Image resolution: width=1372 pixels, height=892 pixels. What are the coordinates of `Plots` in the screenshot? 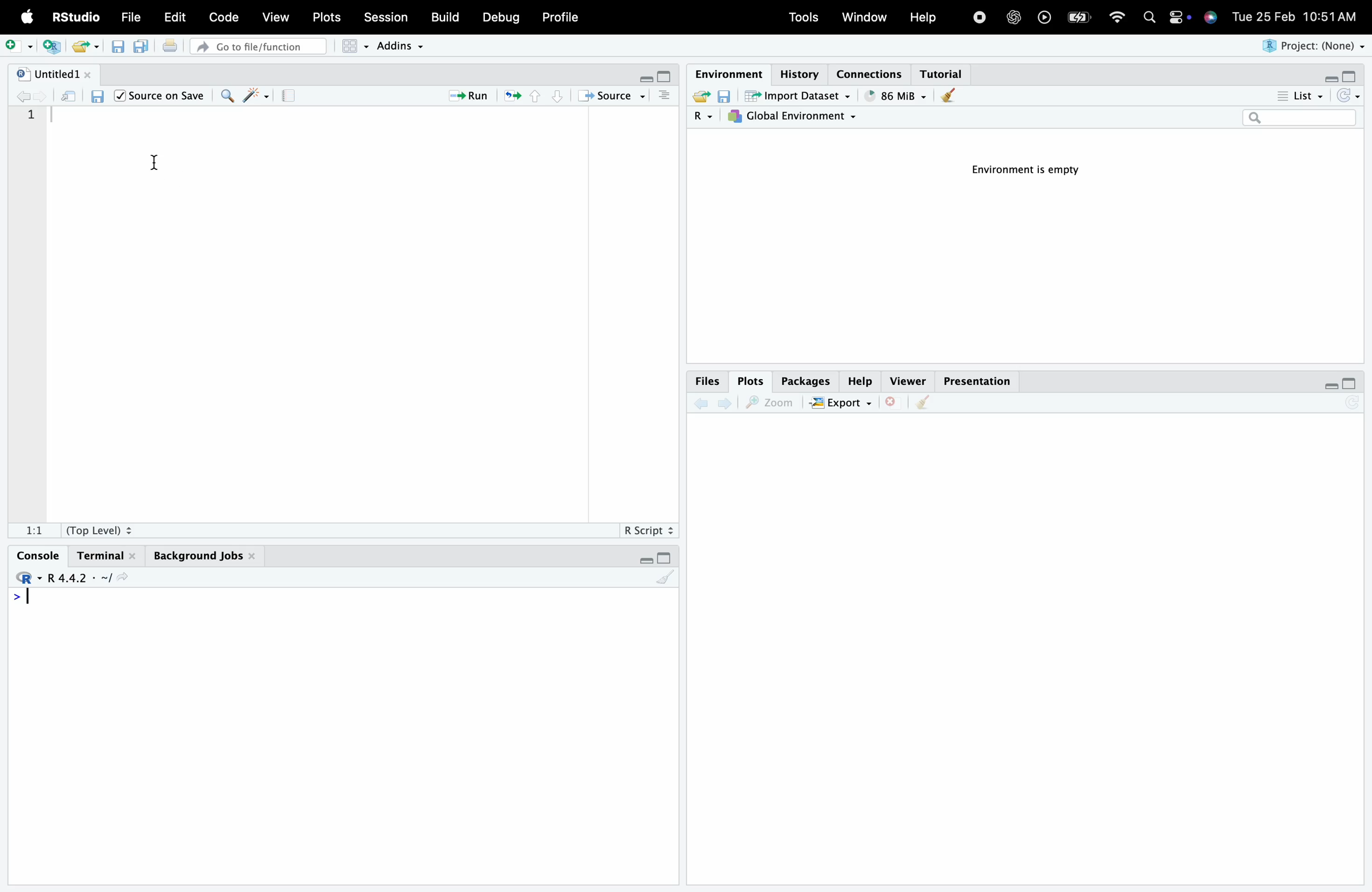 It's located at (747, 380).